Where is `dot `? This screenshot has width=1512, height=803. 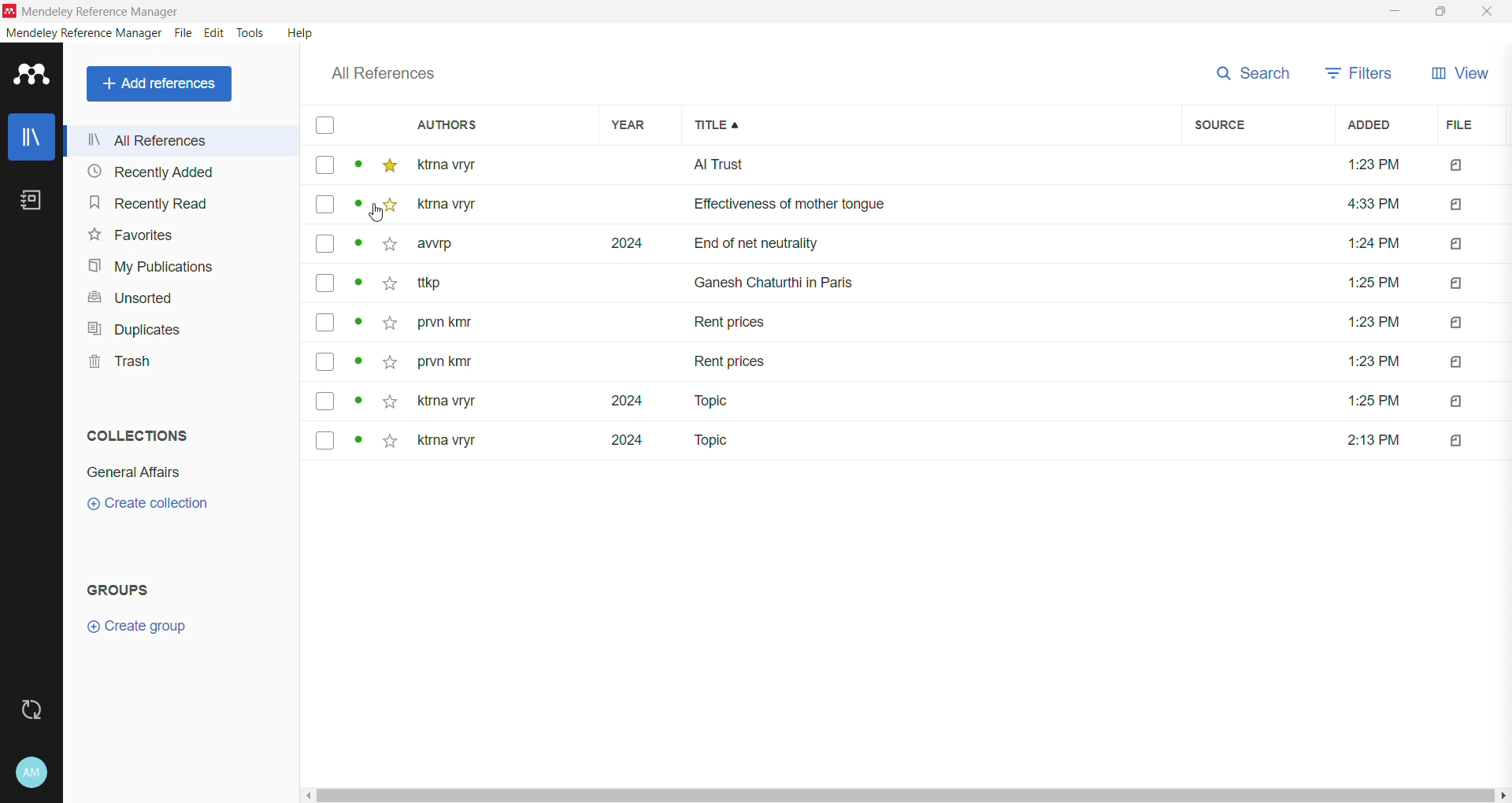
dot  is located at coordinates (357, 168).